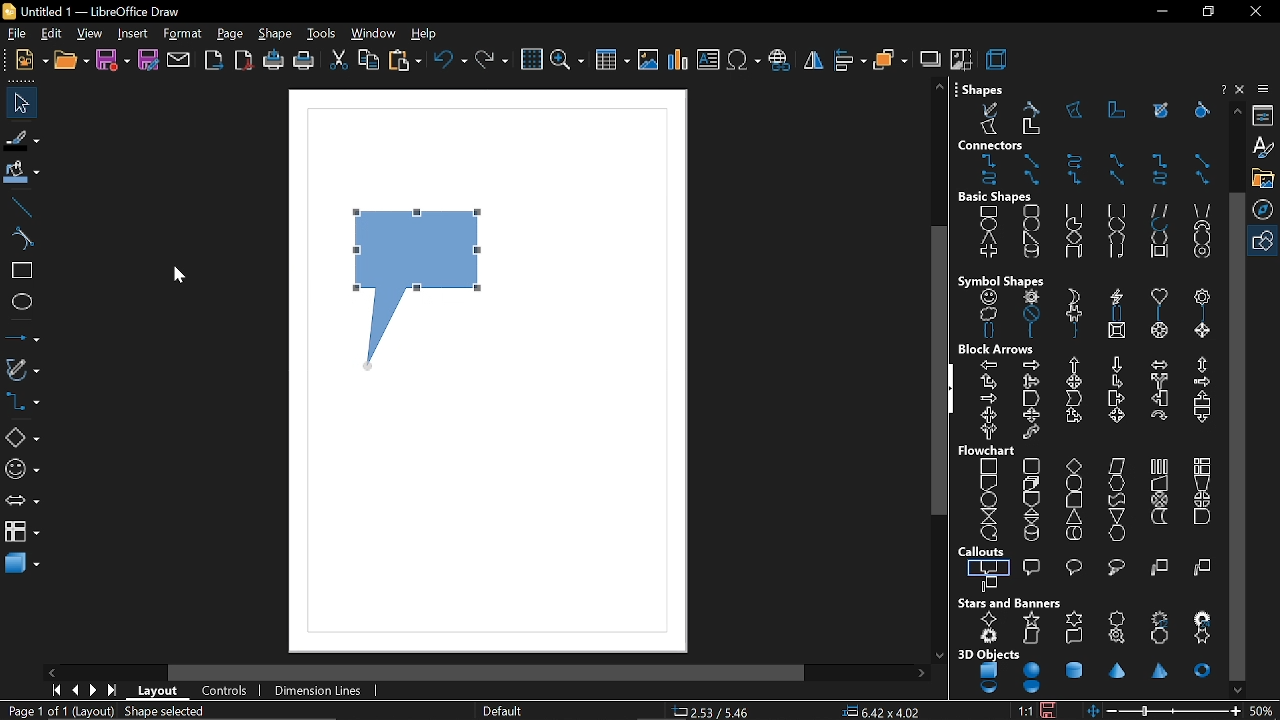 The height and width of the screenshot is (720, 1280). What do you see at coordinates (1030, 619) in the screenshot?
I see `5 point star` at bounding box center [1030, 619].